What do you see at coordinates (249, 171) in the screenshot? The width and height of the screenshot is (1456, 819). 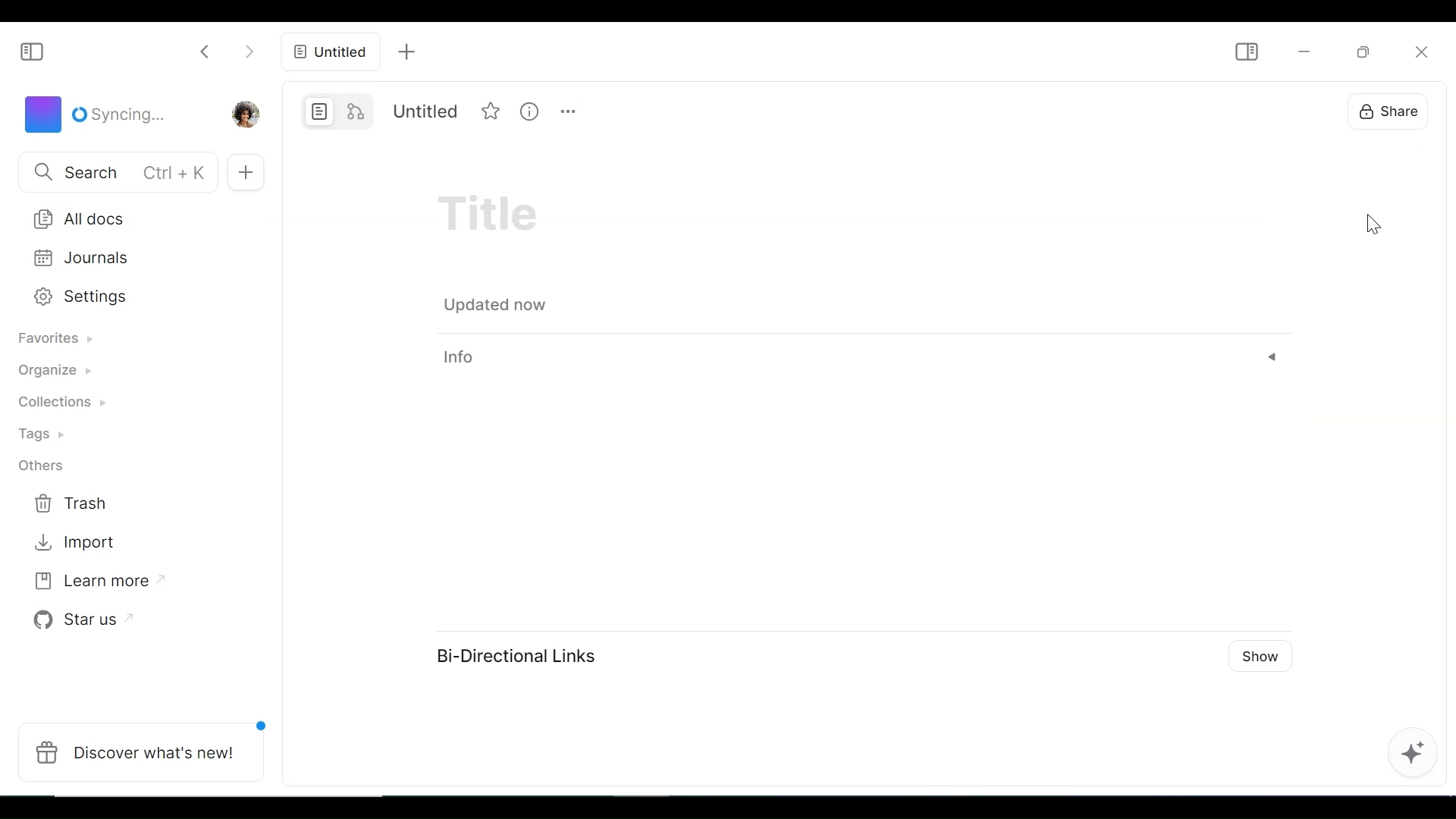 I see `Add New ` at bounding box center [249, 171].